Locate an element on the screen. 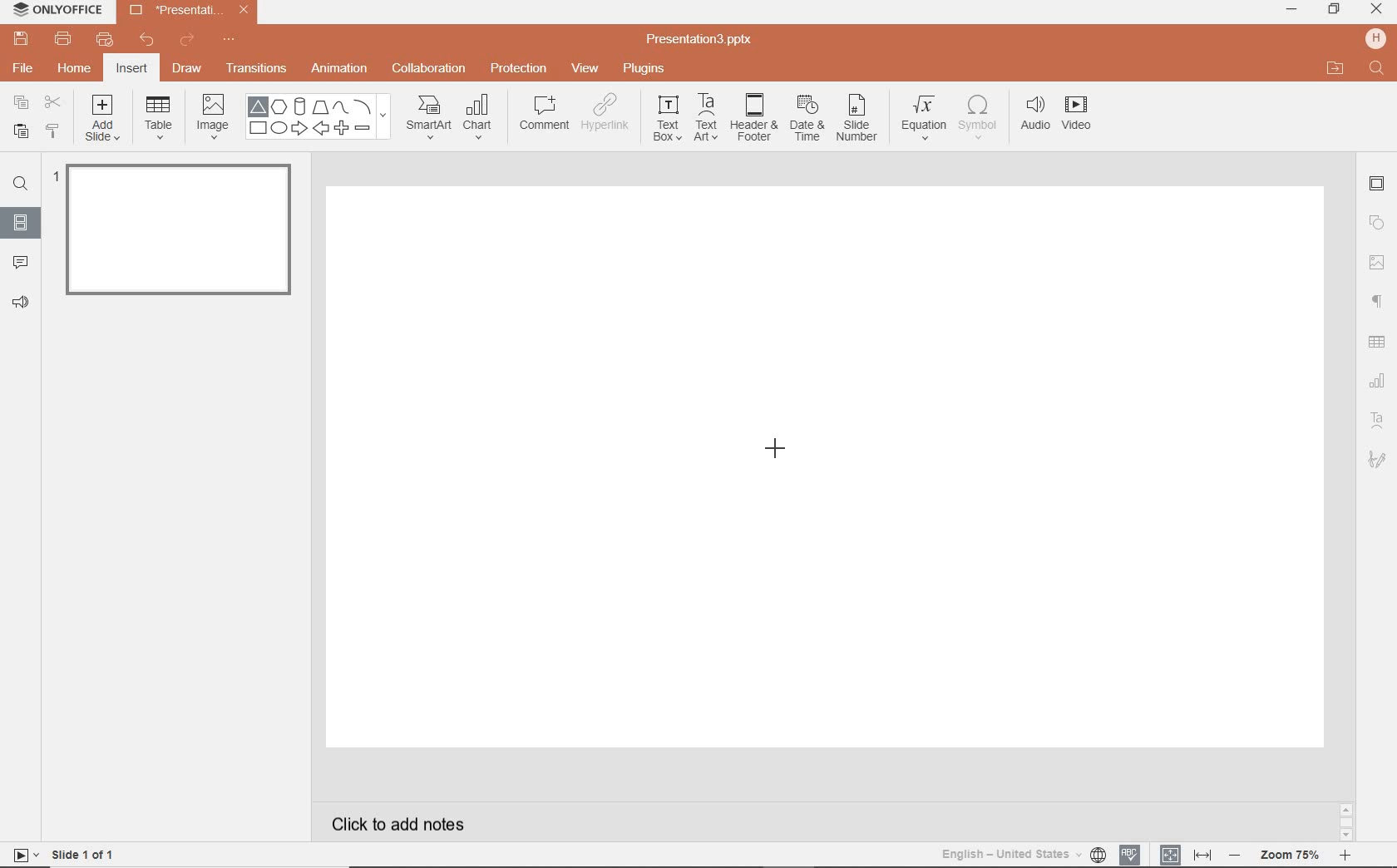  FIT TO WIDTH is located at coordinates (1202, 856).